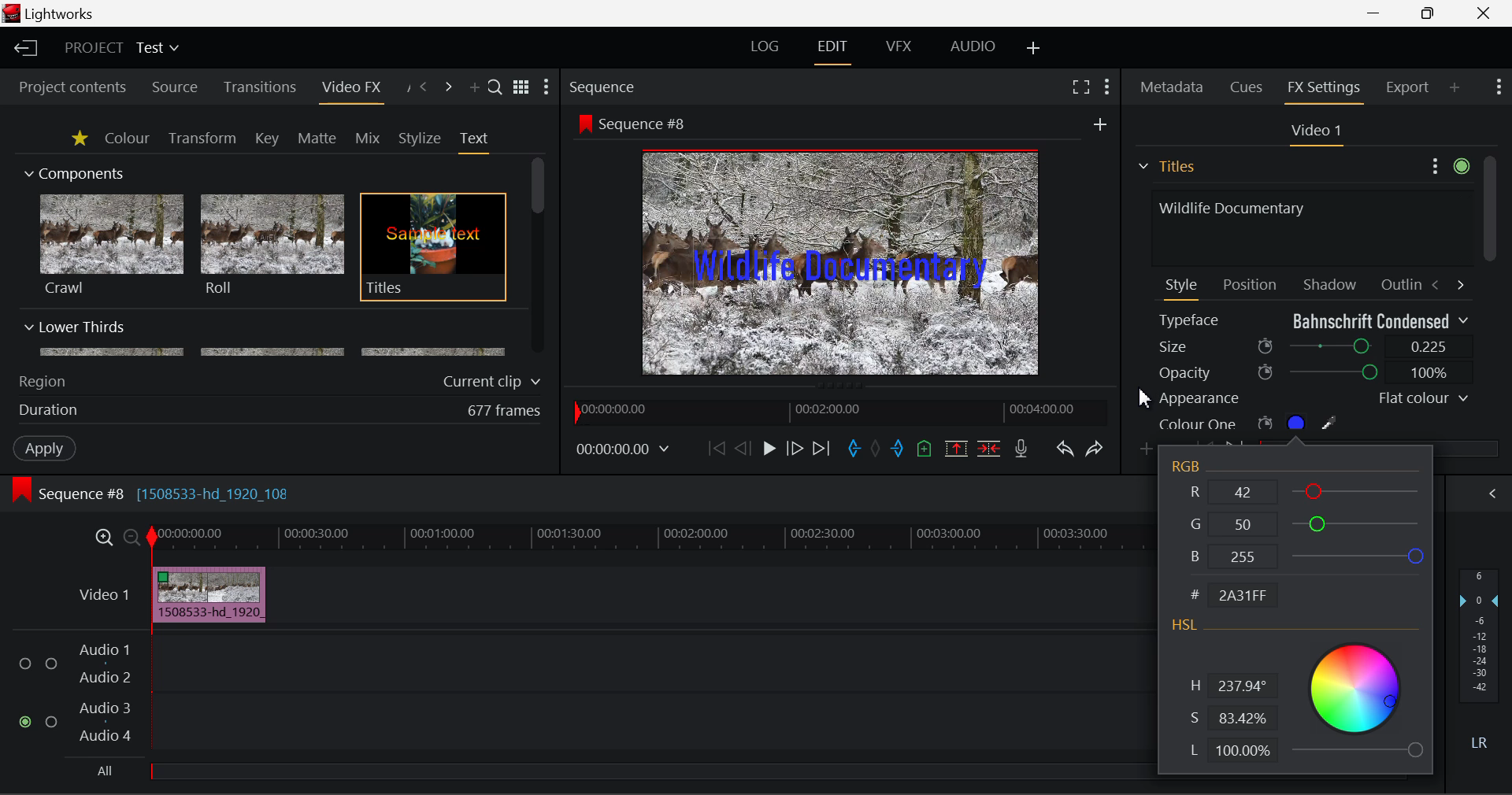  I want to click on Play, so click(769, 448).